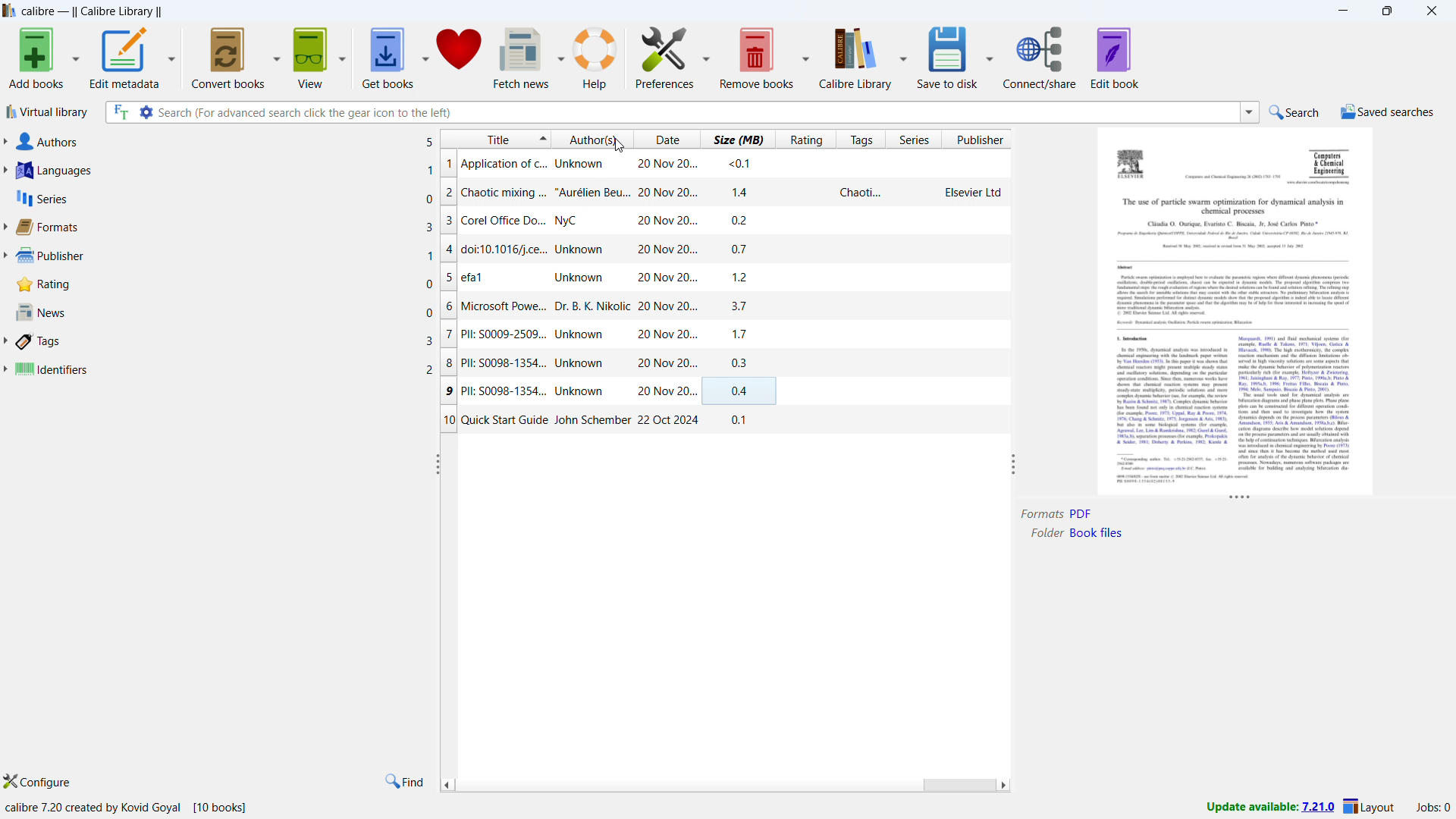  Describe the element at coordinates (225, 141) in the screenshot. I see `authors` at that location.